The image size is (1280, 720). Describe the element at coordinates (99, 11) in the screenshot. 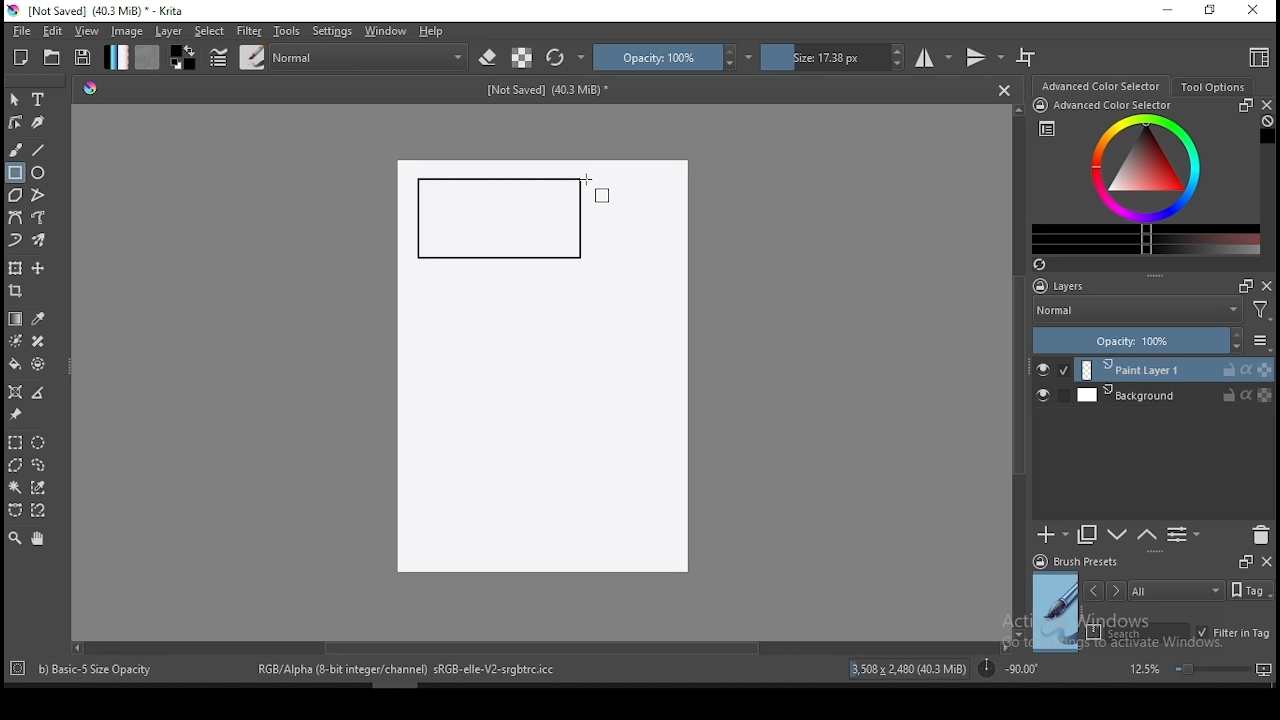

I see `icon and file name` at that location.